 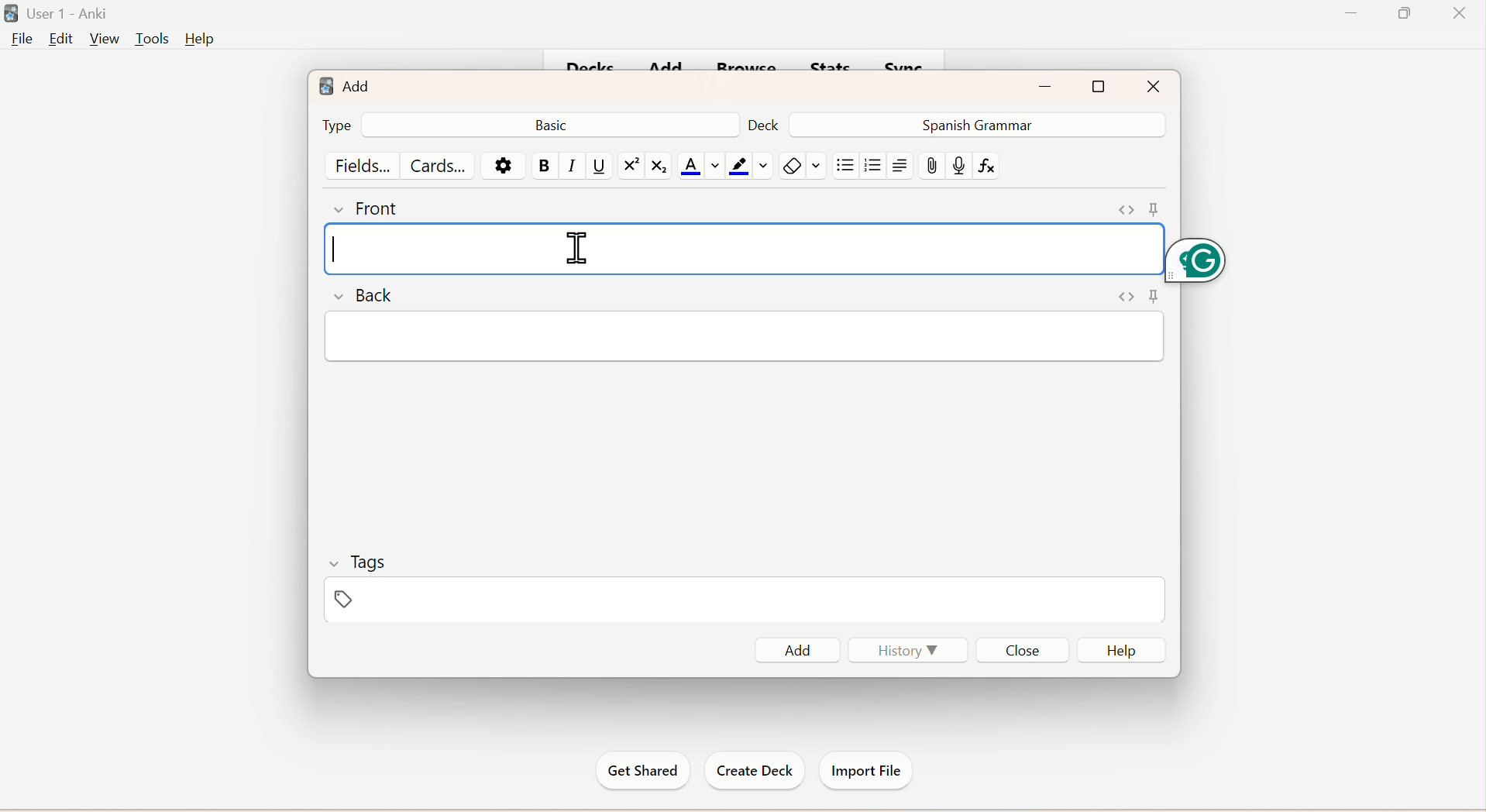 I want to click on Cards..., so click(x=441, y=165).